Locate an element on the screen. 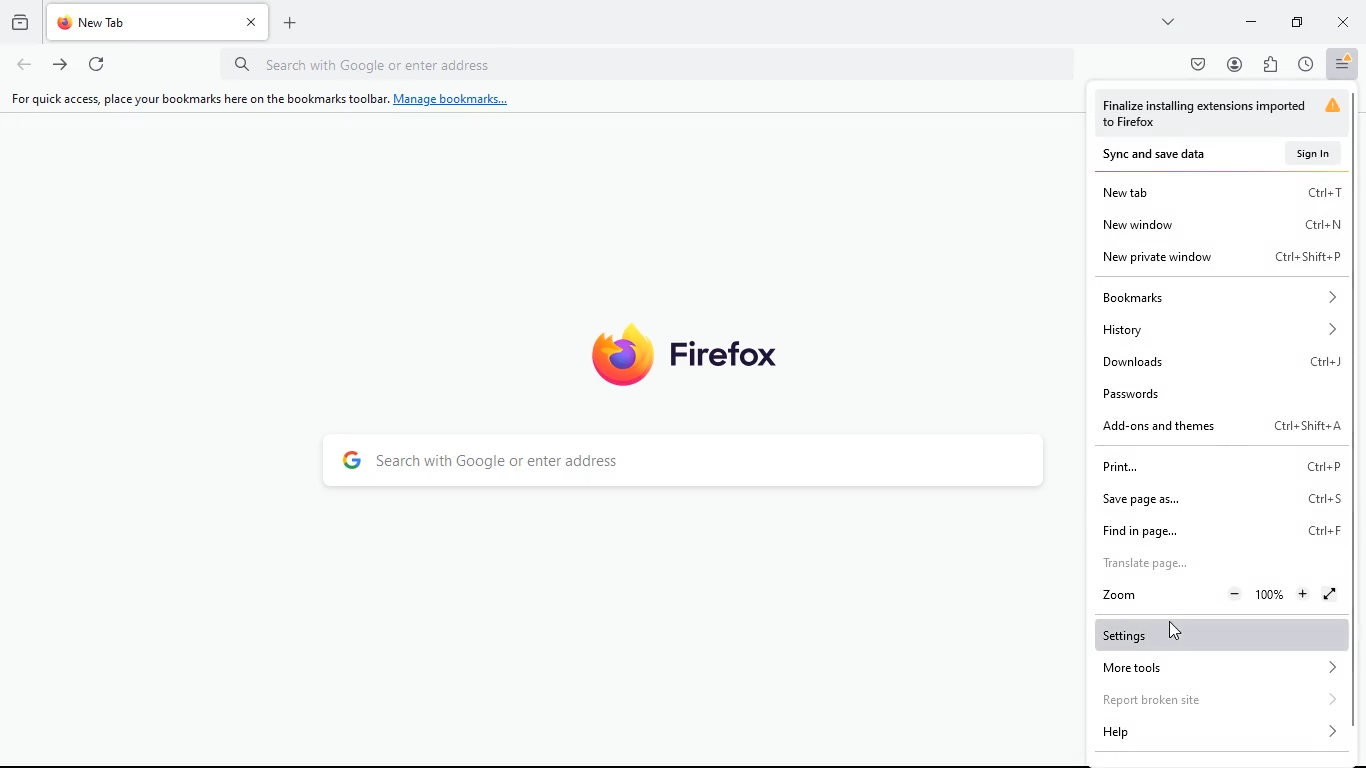  firefox is located at coordinates (697, 351).